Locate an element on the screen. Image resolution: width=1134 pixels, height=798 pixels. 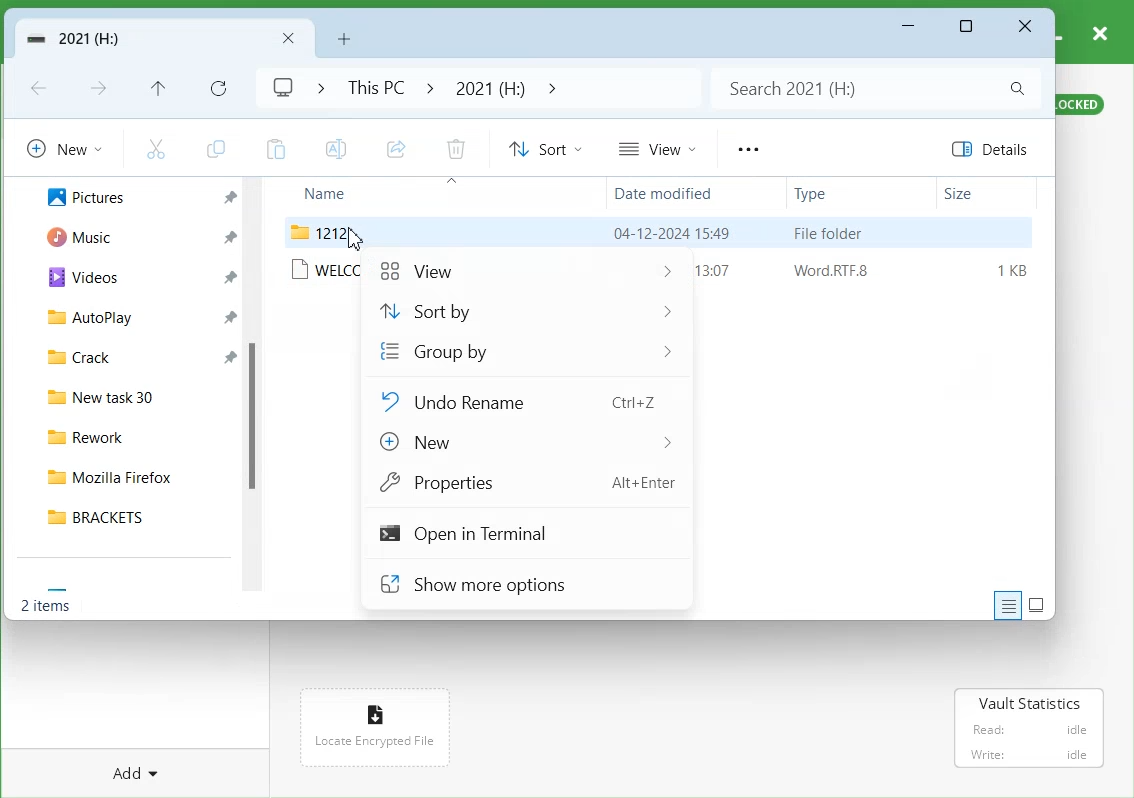
Name is located at coordinates (362, 194).